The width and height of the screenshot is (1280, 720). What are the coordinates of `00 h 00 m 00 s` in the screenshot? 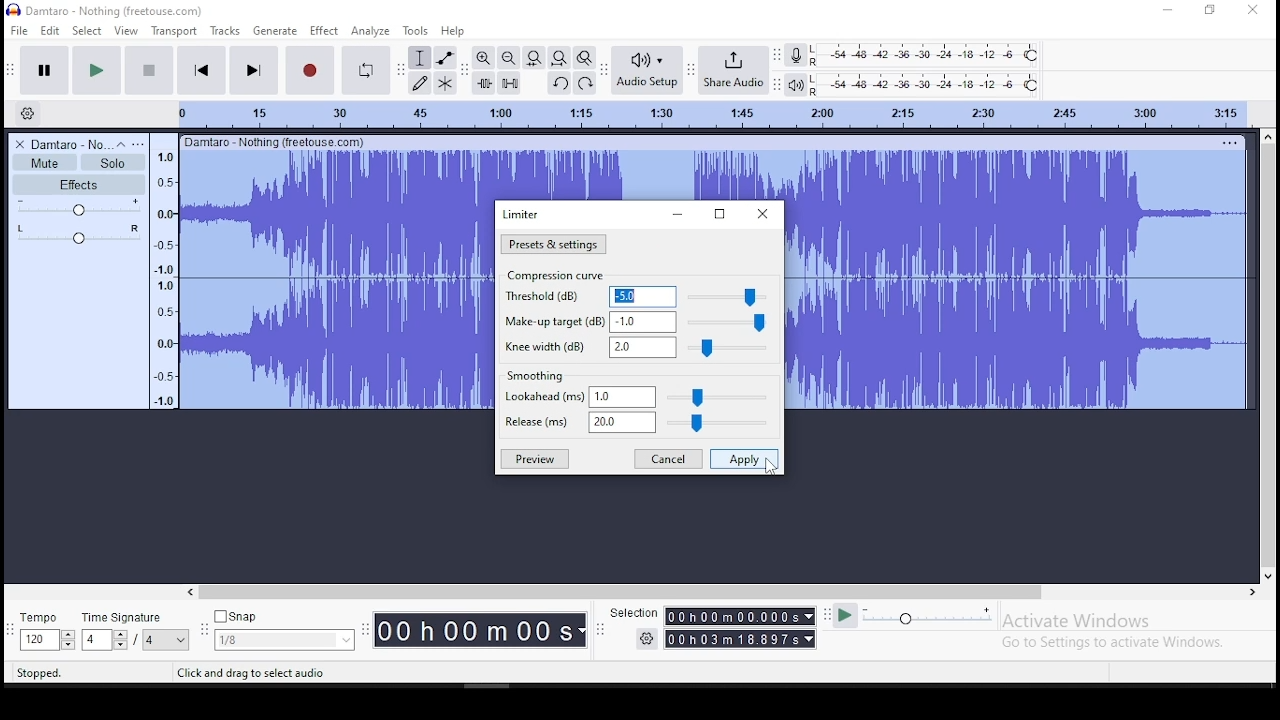 It's located at (479, 631).